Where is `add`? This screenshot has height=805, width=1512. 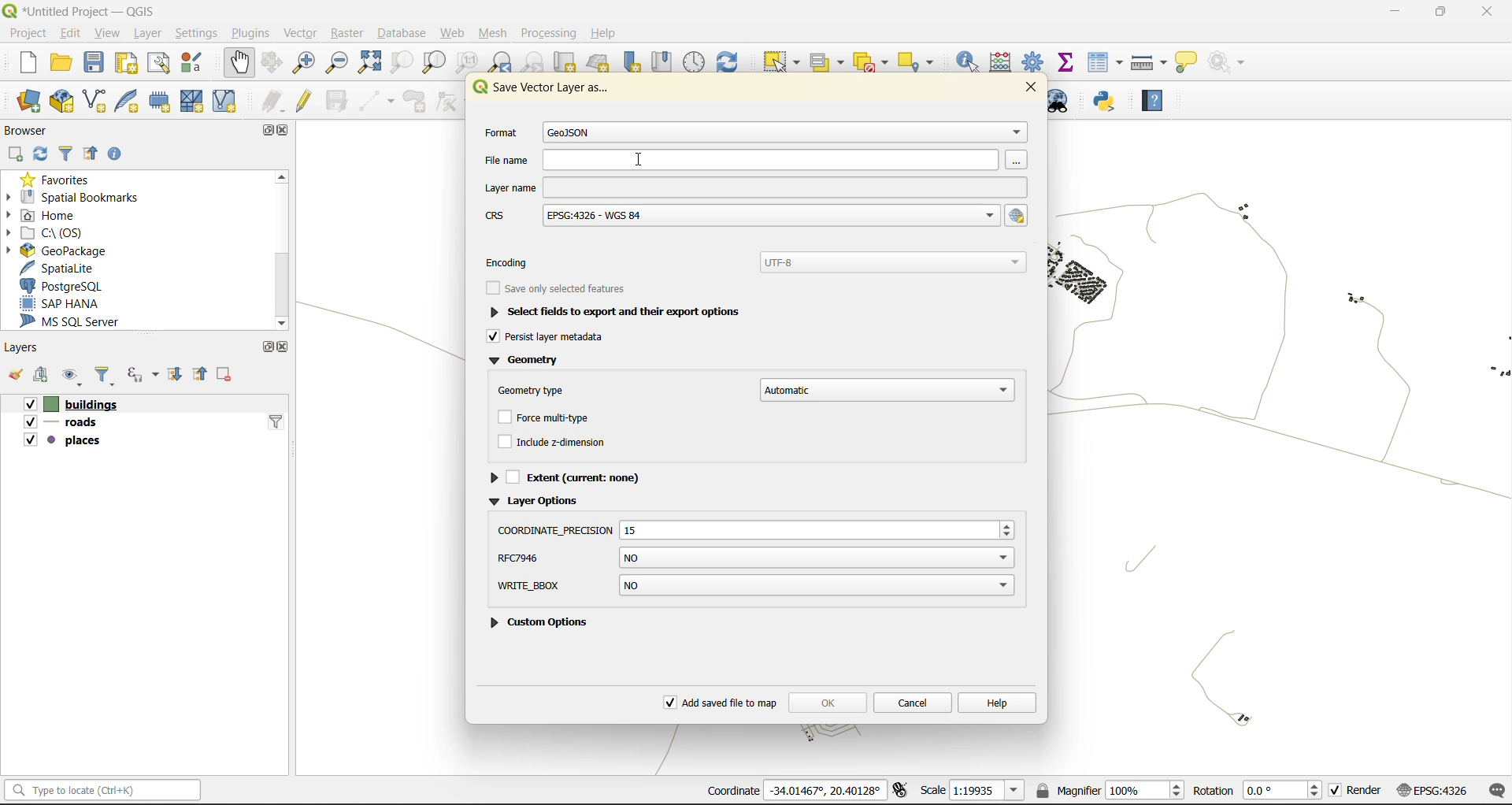 add is located at coordinates (18, 152).